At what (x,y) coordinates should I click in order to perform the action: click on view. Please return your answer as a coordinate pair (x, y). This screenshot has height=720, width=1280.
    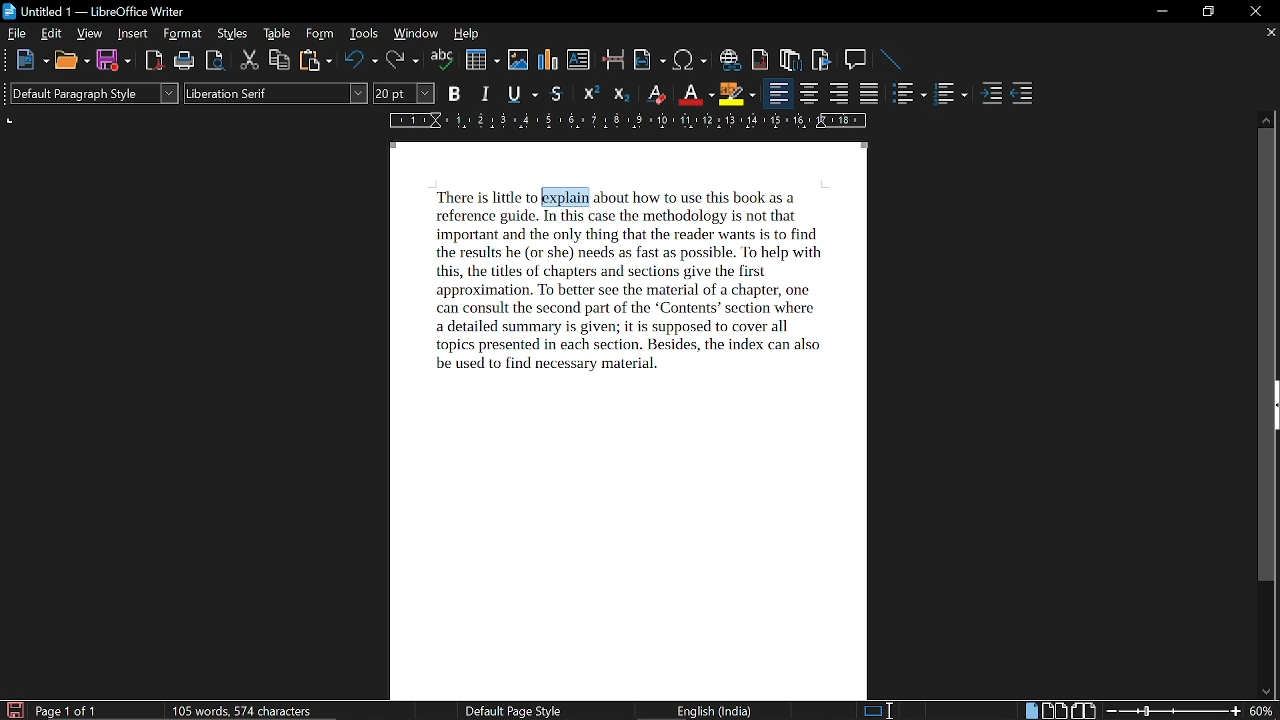
    Looking at the image, I should click on (91, 35).